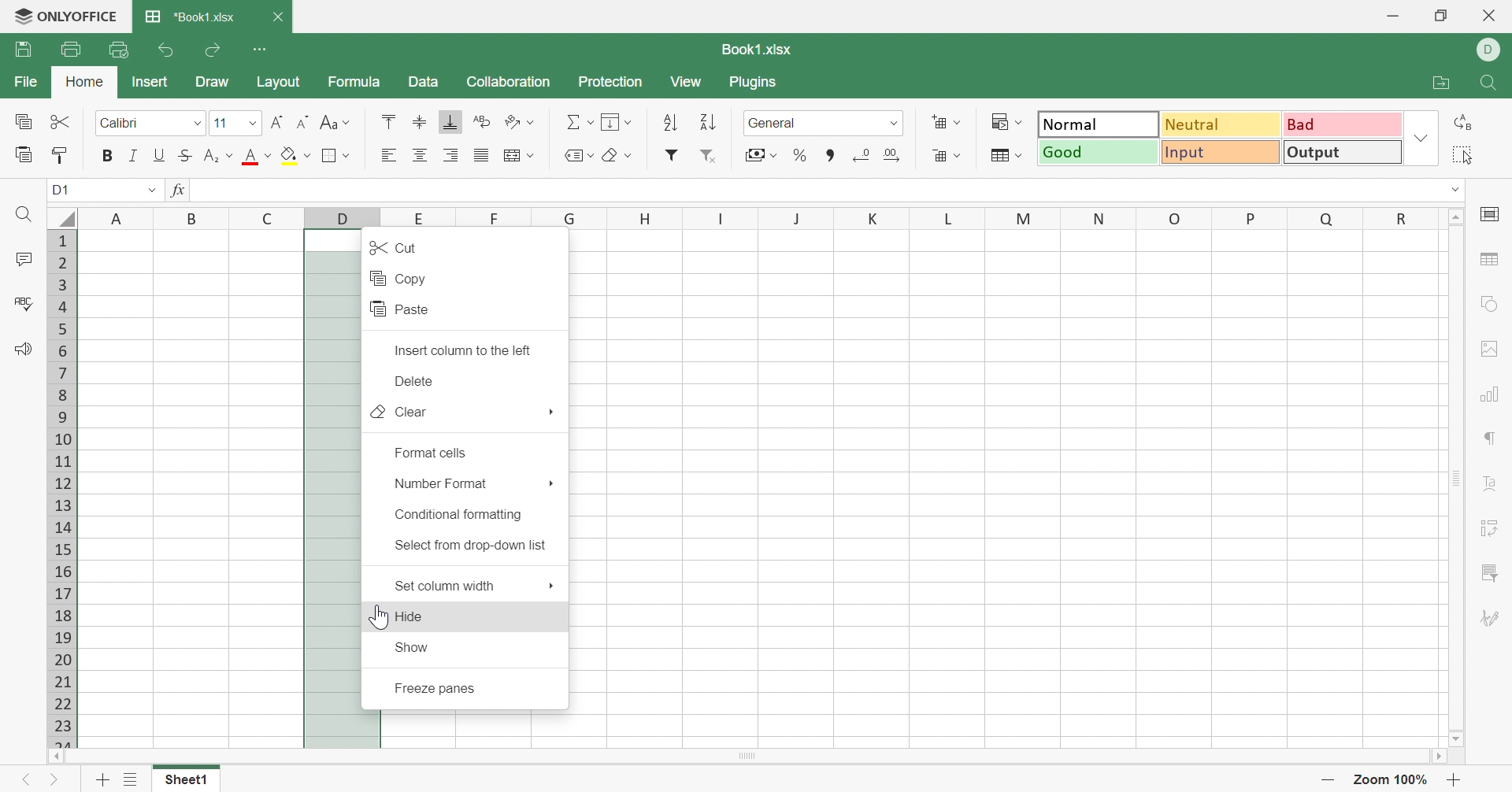 The image size is (1512, 792). Describe the element at coordinates (388, 121) in the screenshot. I see `Align Top` at that location.